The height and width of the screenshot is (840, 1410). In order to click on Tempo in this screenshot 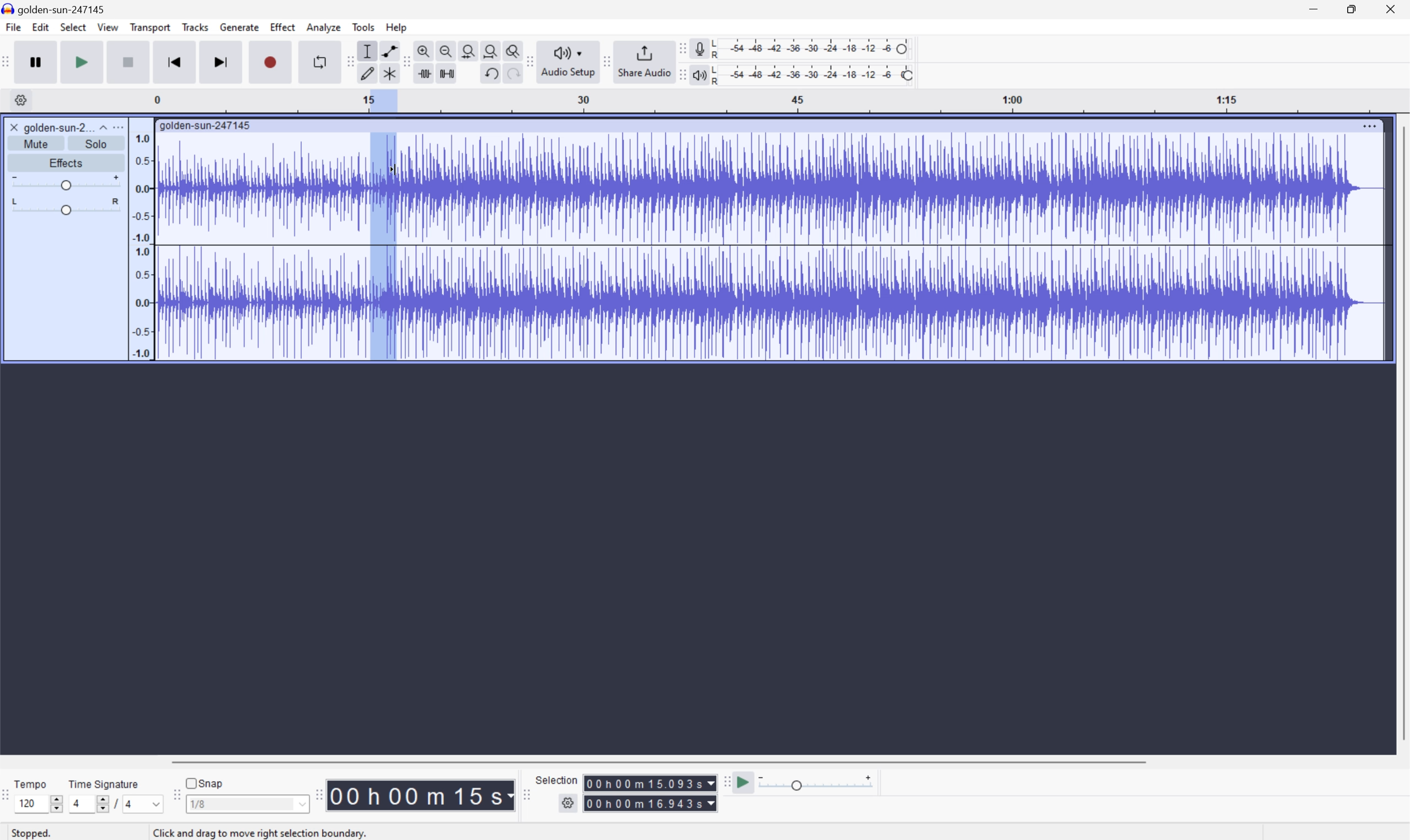, I will do `click(30, 783)`.